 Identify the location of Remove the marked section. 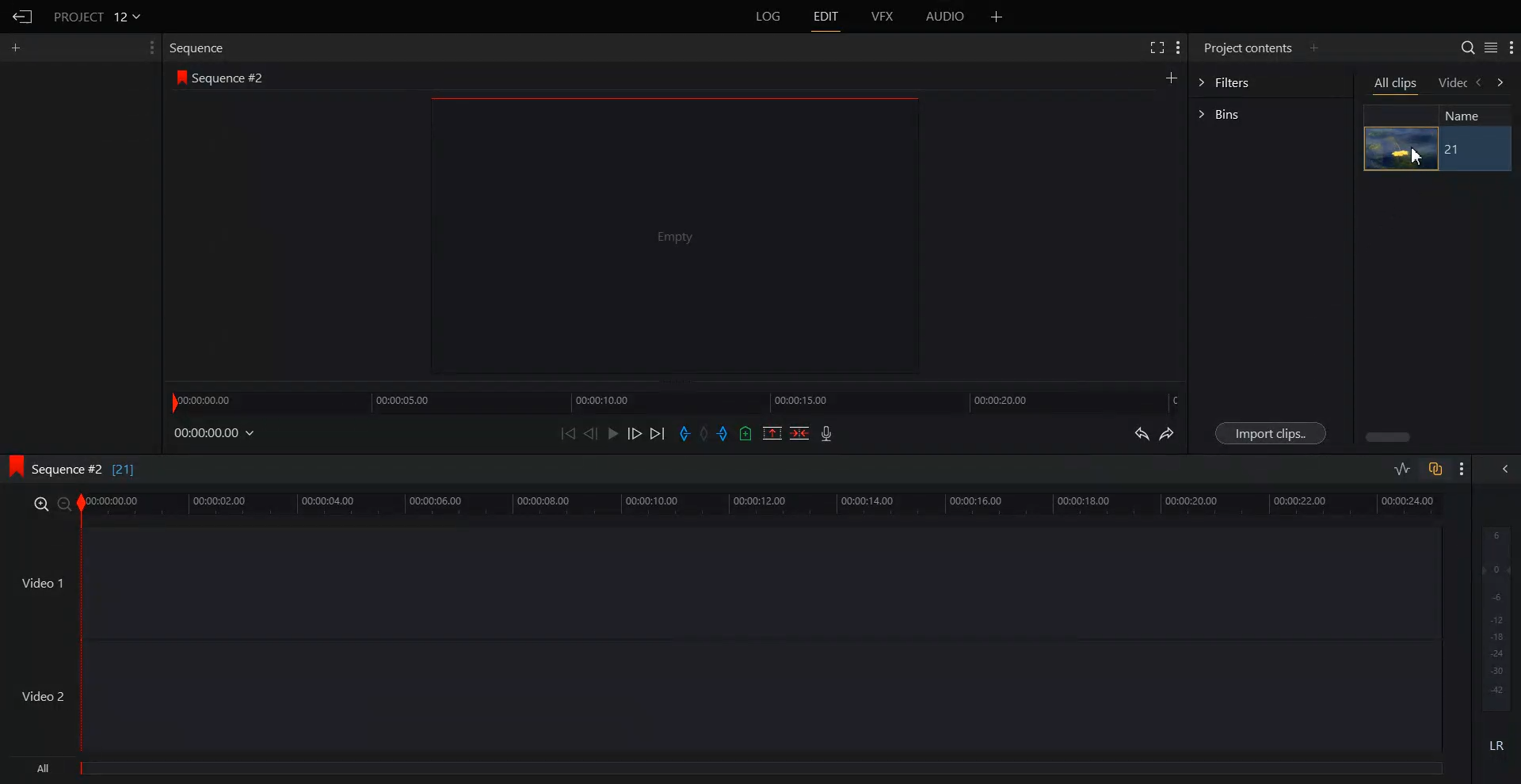
(772, 433).